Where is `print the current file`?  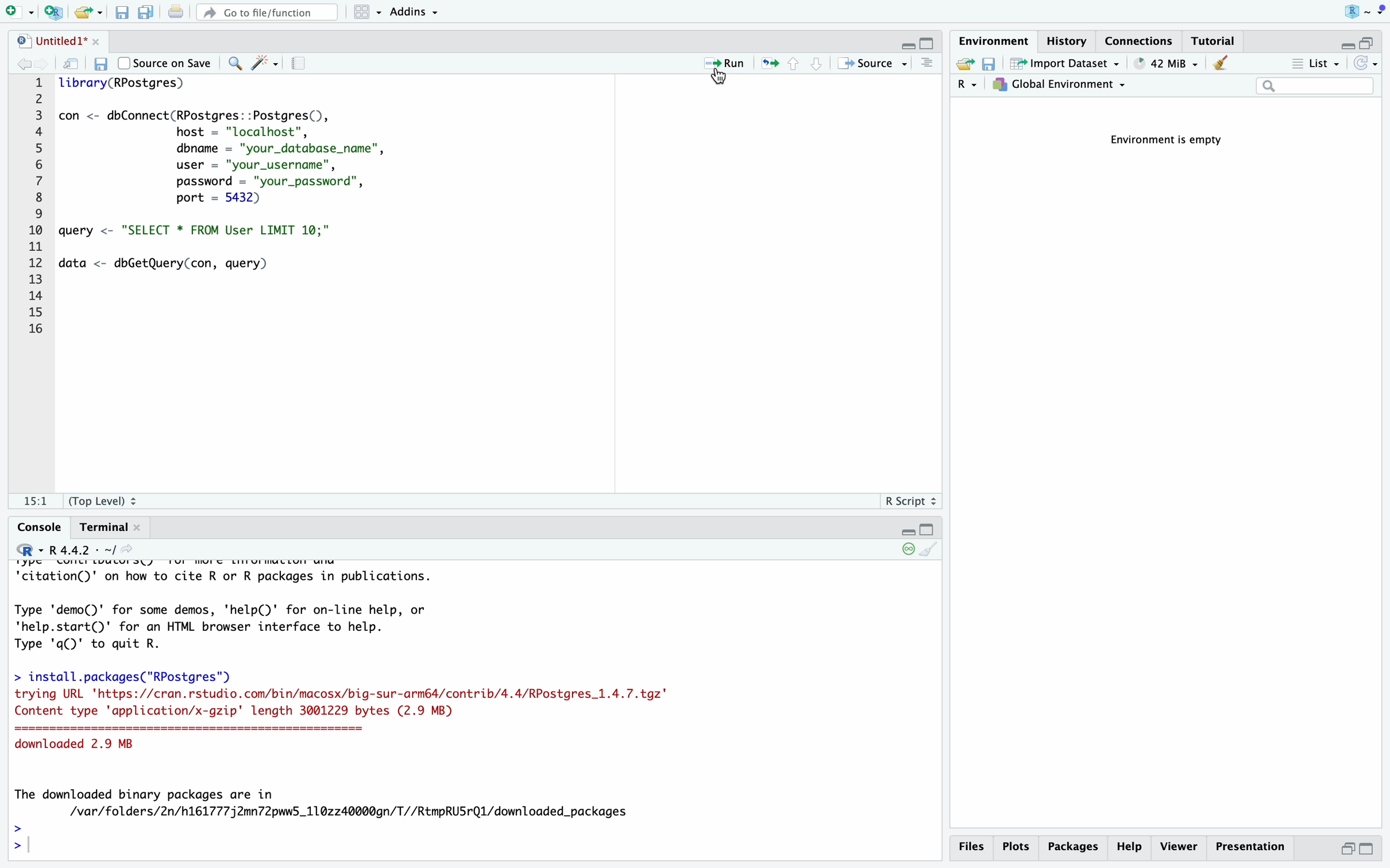 print the current file is located at coordinates (173, 11).